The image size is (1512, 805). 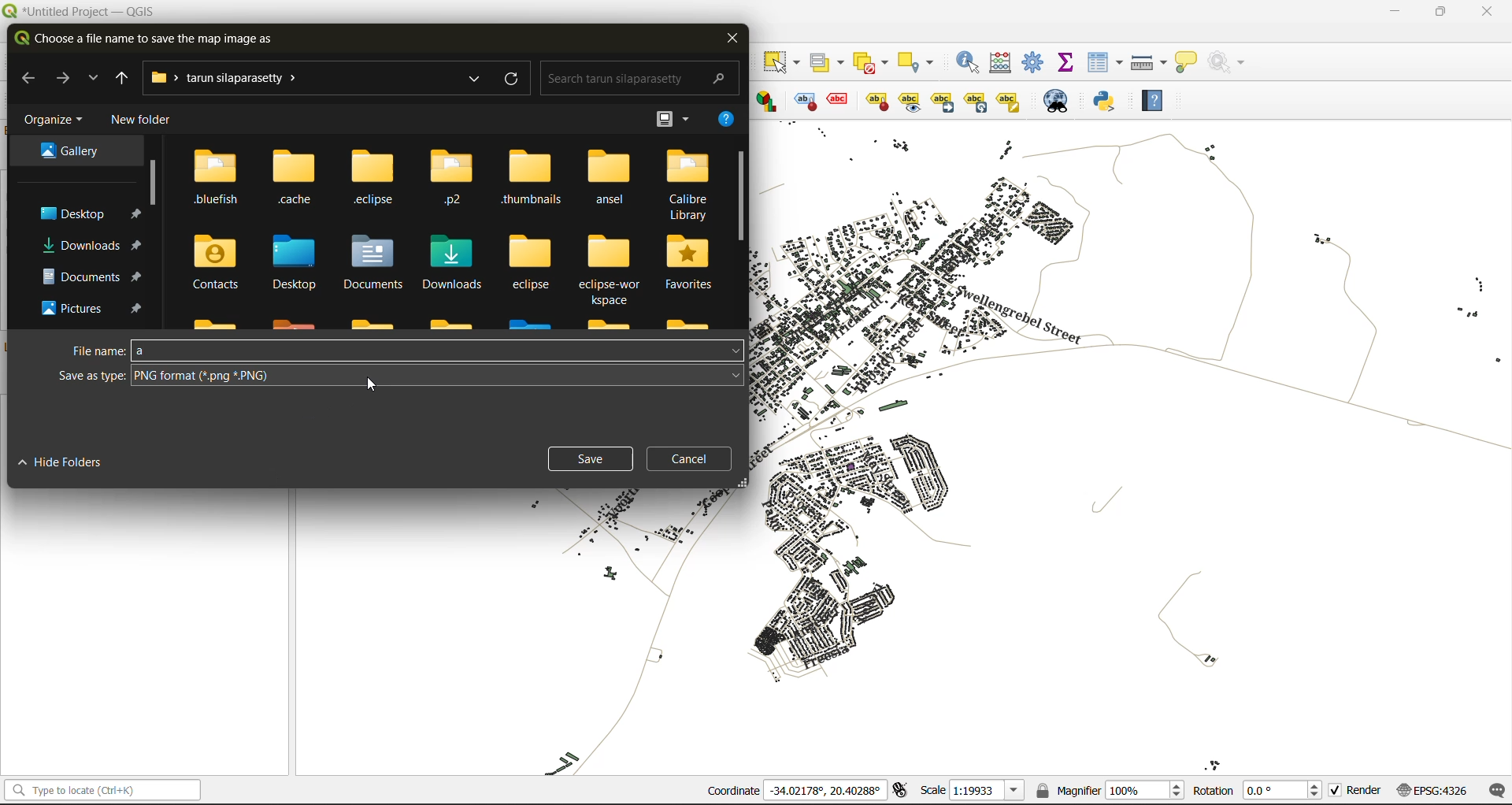 I want to click on search, so click(x=634, y=76).